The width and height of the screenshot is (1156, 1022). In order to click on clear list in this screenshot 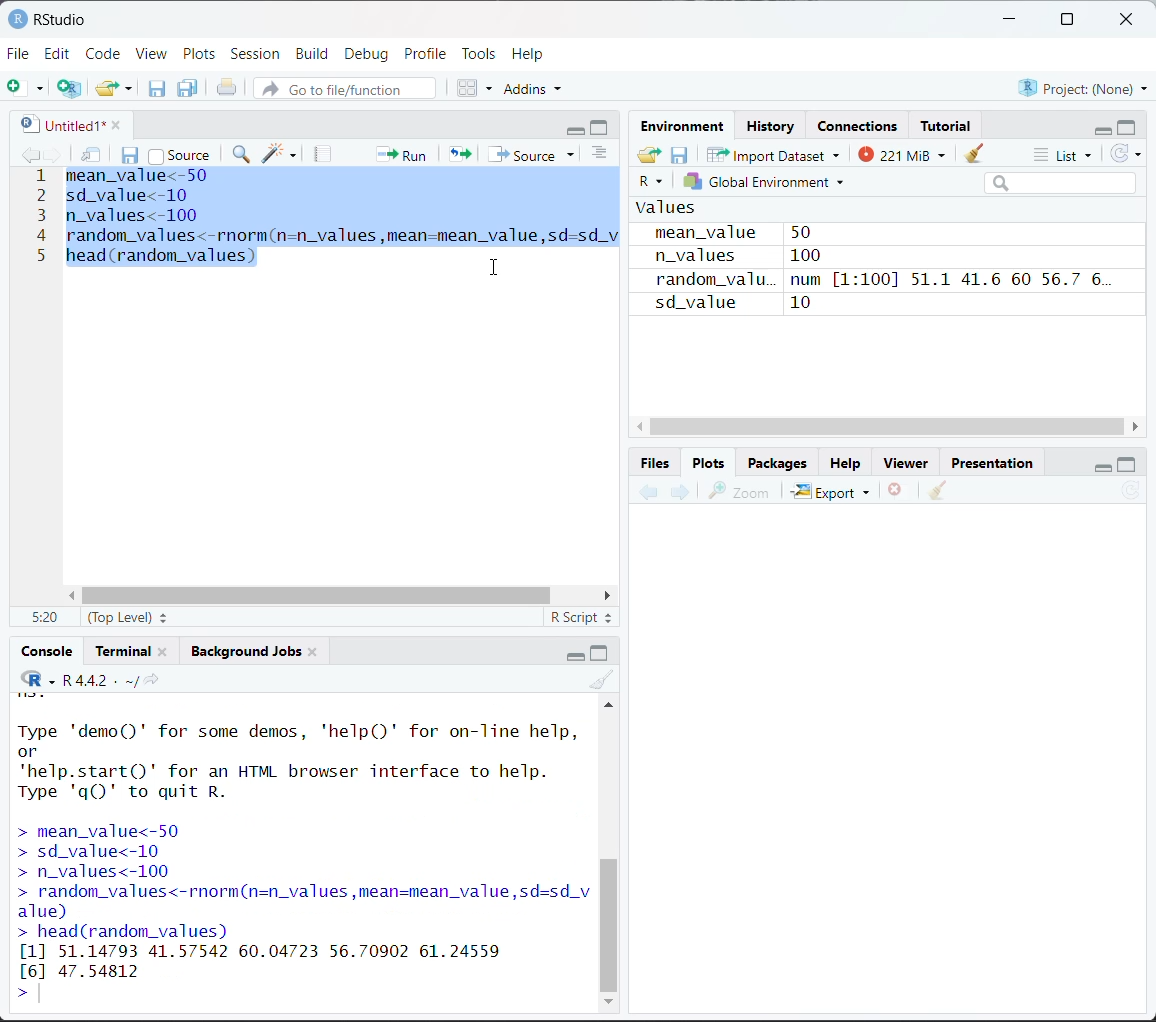, I will do `click(131, 88)`.